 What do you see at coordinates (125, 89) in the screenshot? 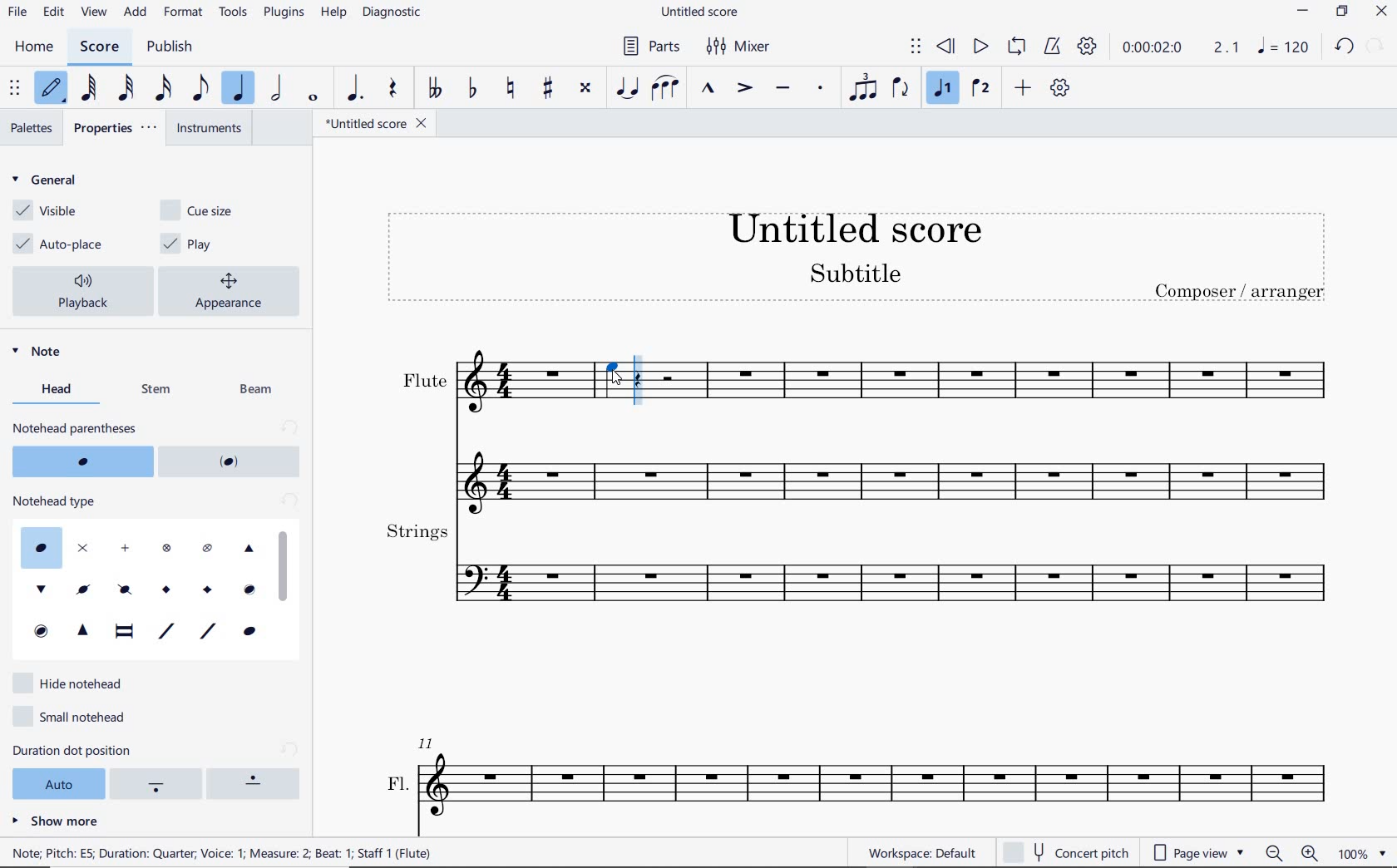
I see `32ND NOTE` at bounding box center [125, 89].